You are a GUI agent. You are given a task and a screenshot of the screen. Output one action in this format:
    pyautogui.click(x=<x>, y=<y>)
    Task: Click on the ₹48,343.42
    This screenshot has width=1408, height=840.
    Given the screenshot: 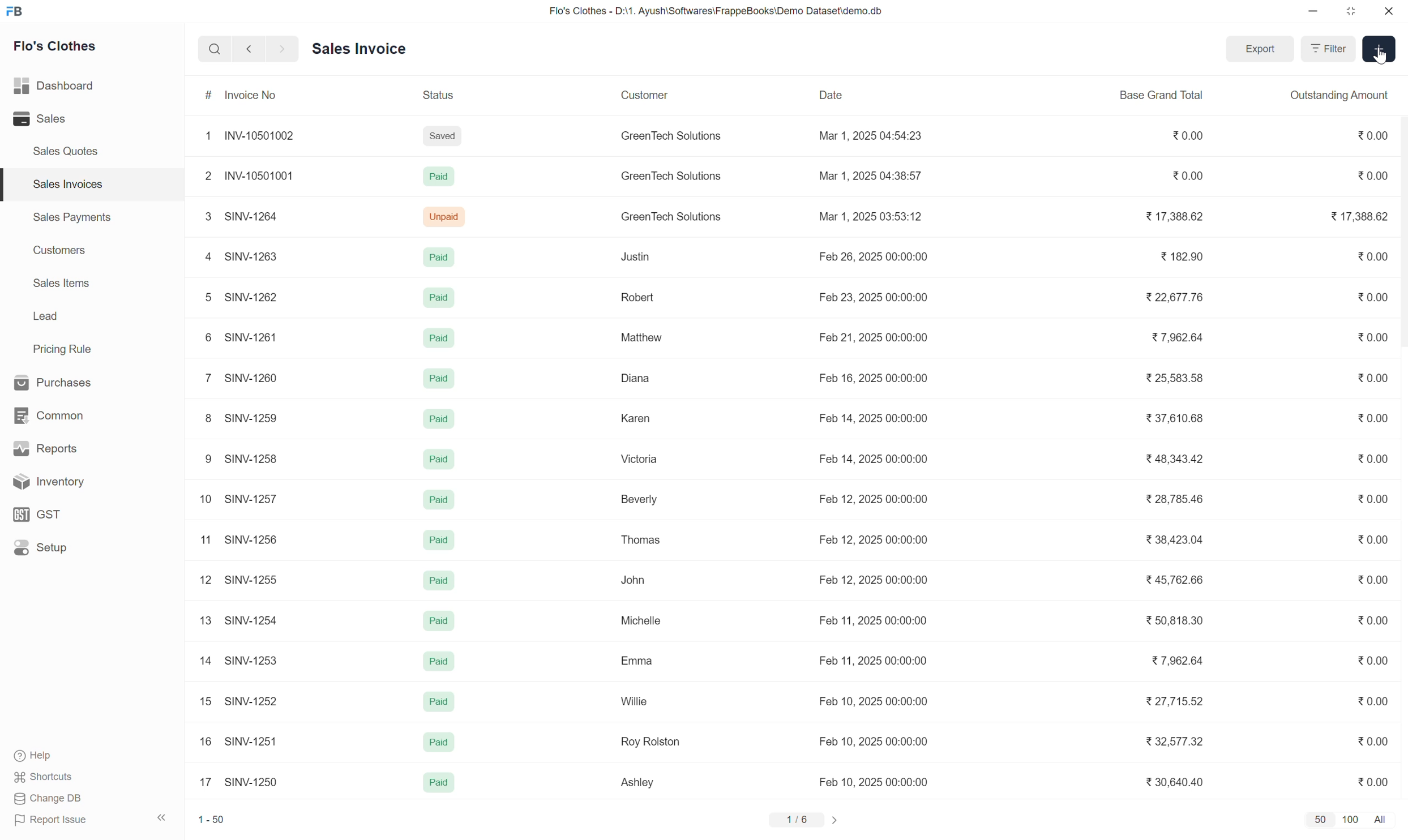 What is the action you would take?
    pyautogui.click(x=1180, y=462)
    